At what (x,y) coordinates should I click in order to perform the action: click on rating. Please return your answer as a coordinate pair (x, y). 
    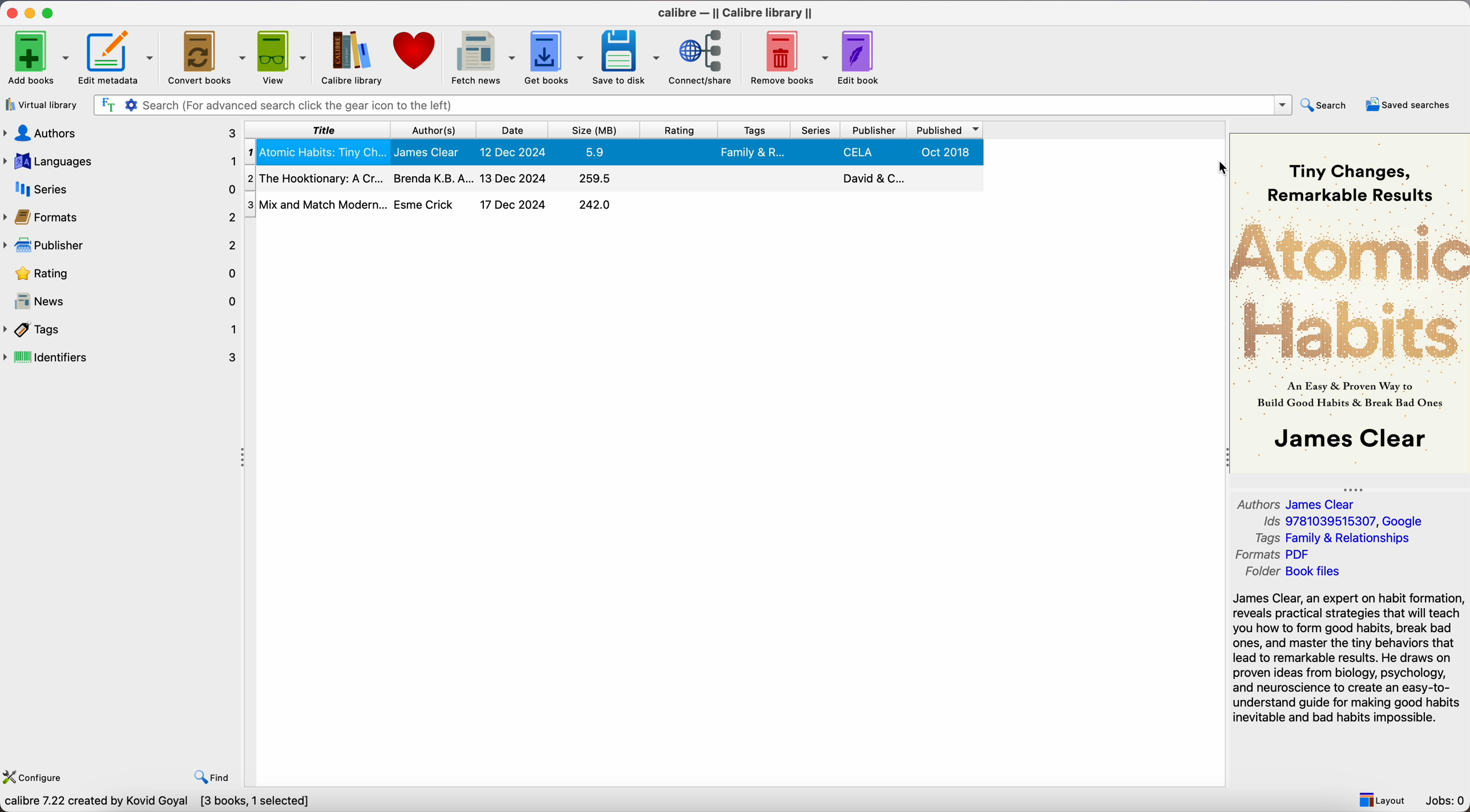
    Looking at the image, I should click on (680, 130).